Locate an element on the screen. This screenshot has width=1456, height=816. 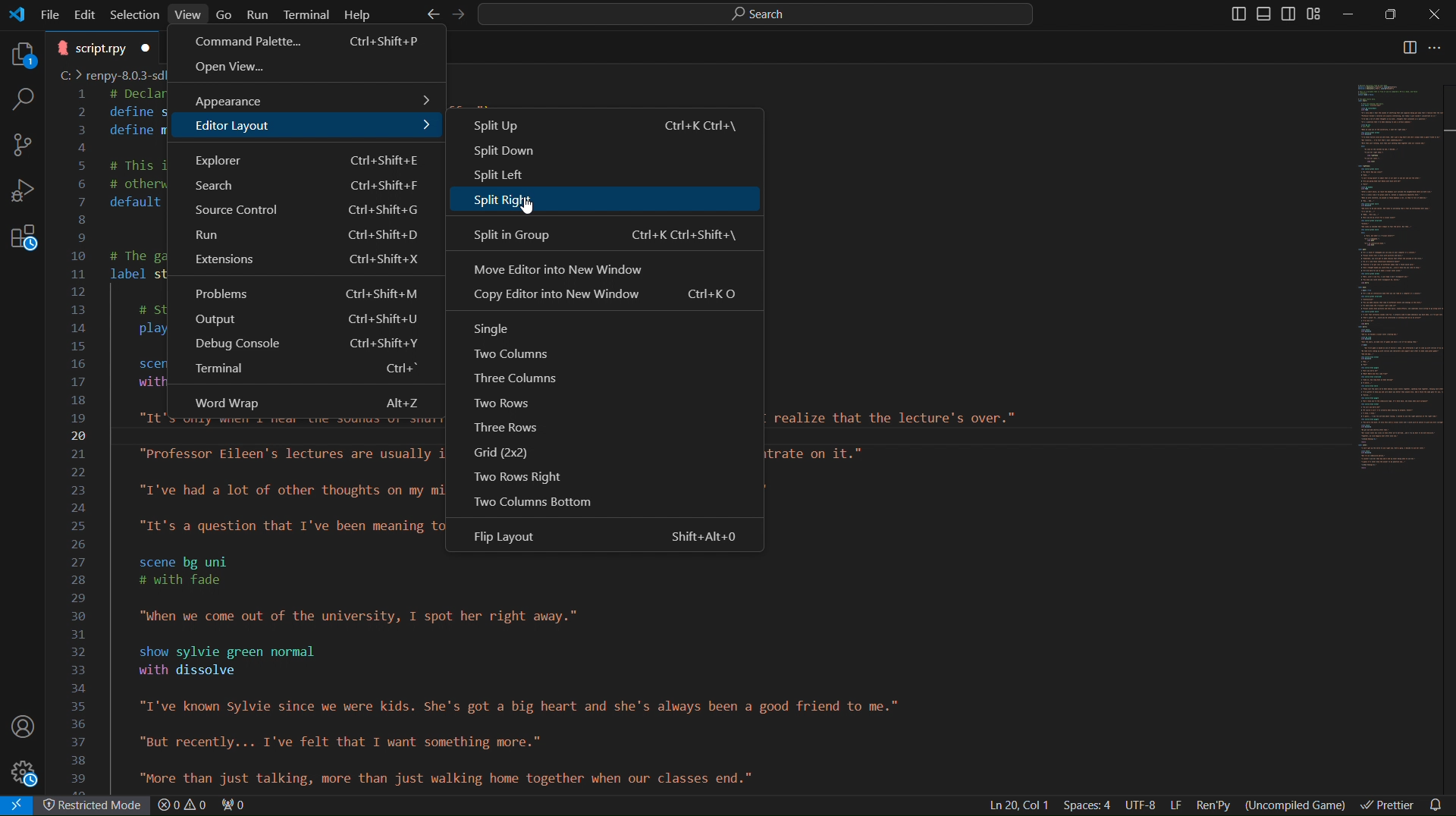
Explorer is located at coordinates (19, 52).